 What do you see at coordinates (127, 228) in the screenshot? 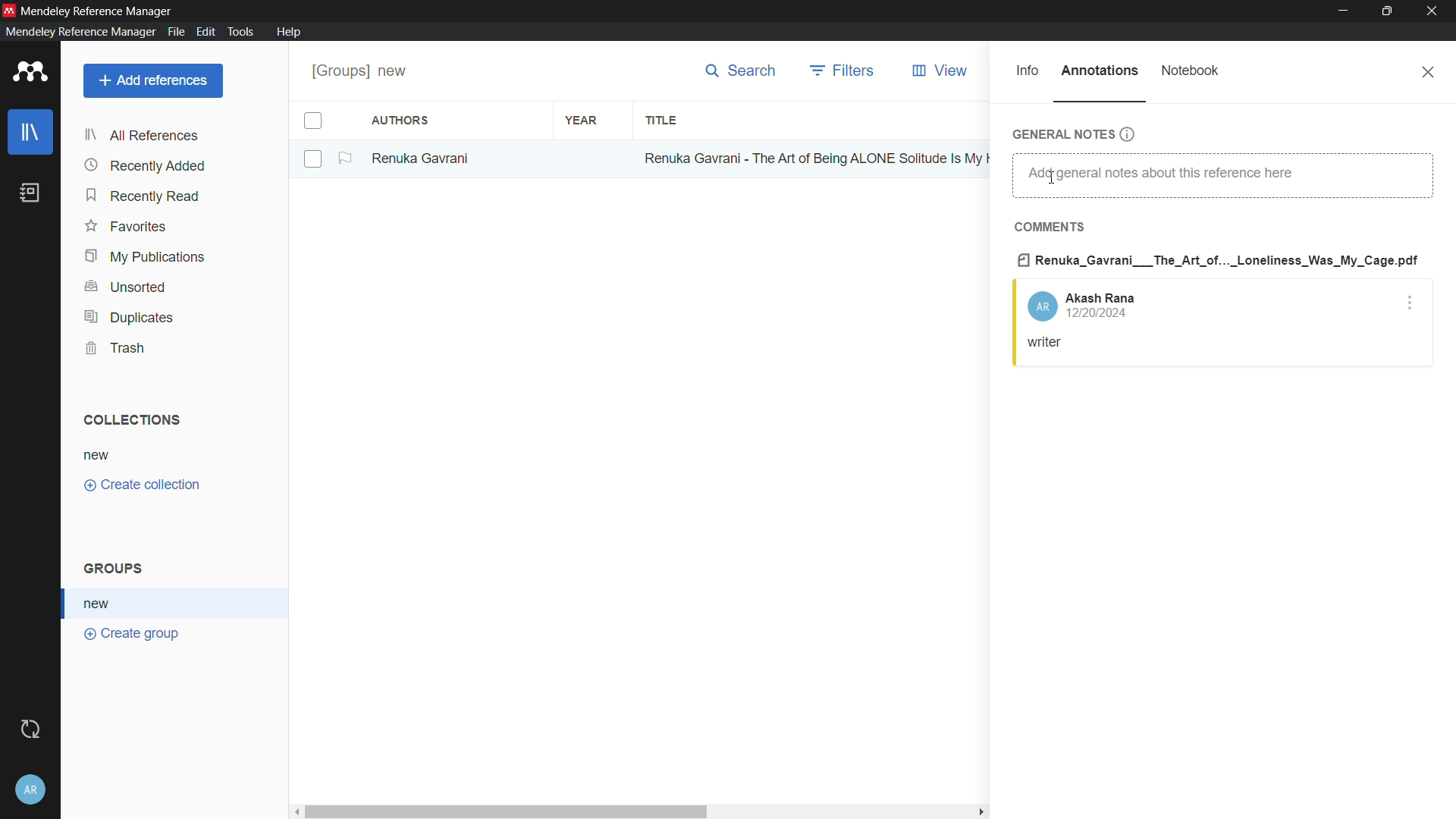
I see `favorites` at bounding box center [127, 228].